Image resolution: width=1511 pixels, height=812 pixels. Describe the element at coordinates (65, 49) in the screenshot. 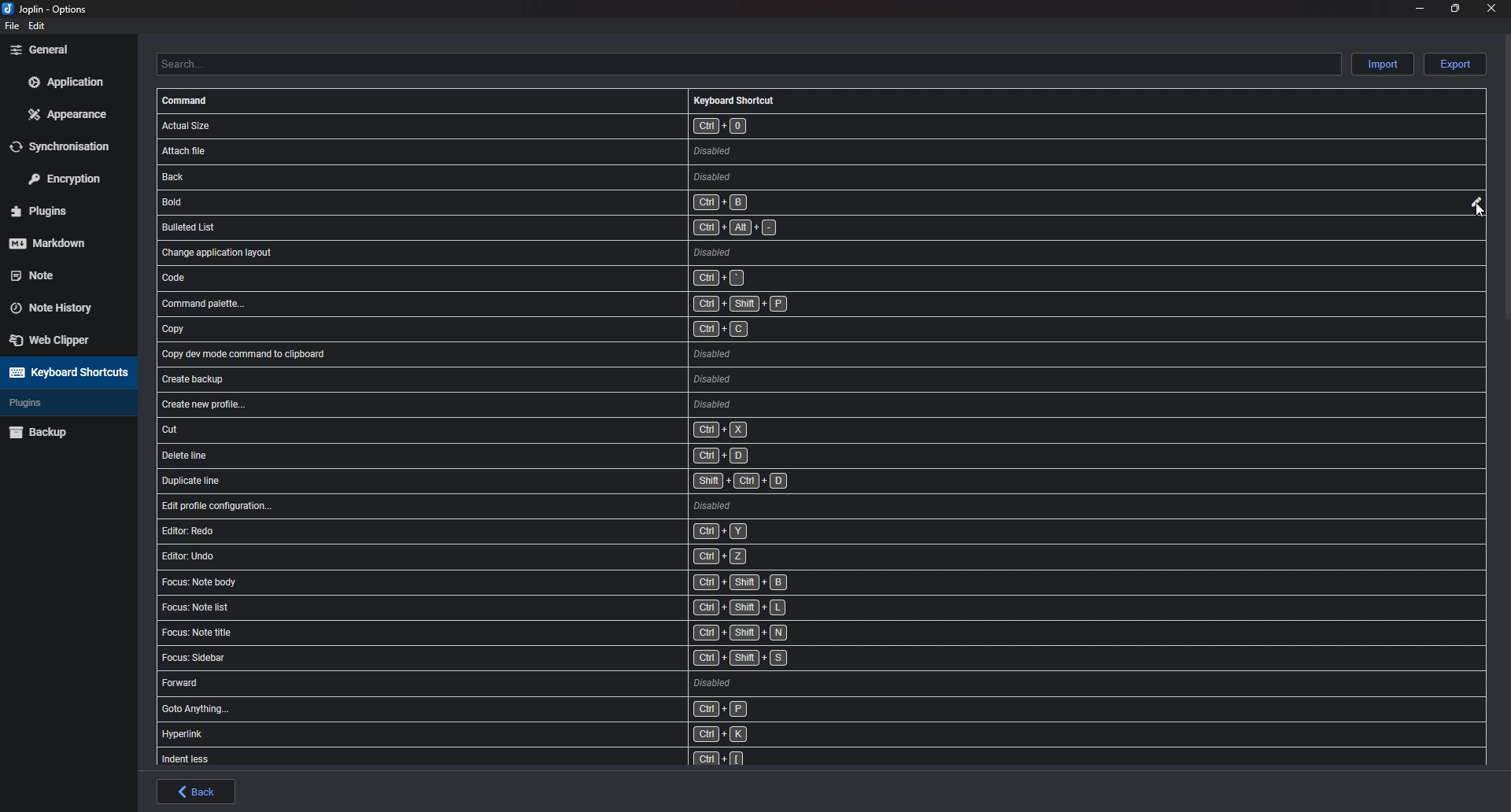

I see `General` at that location.